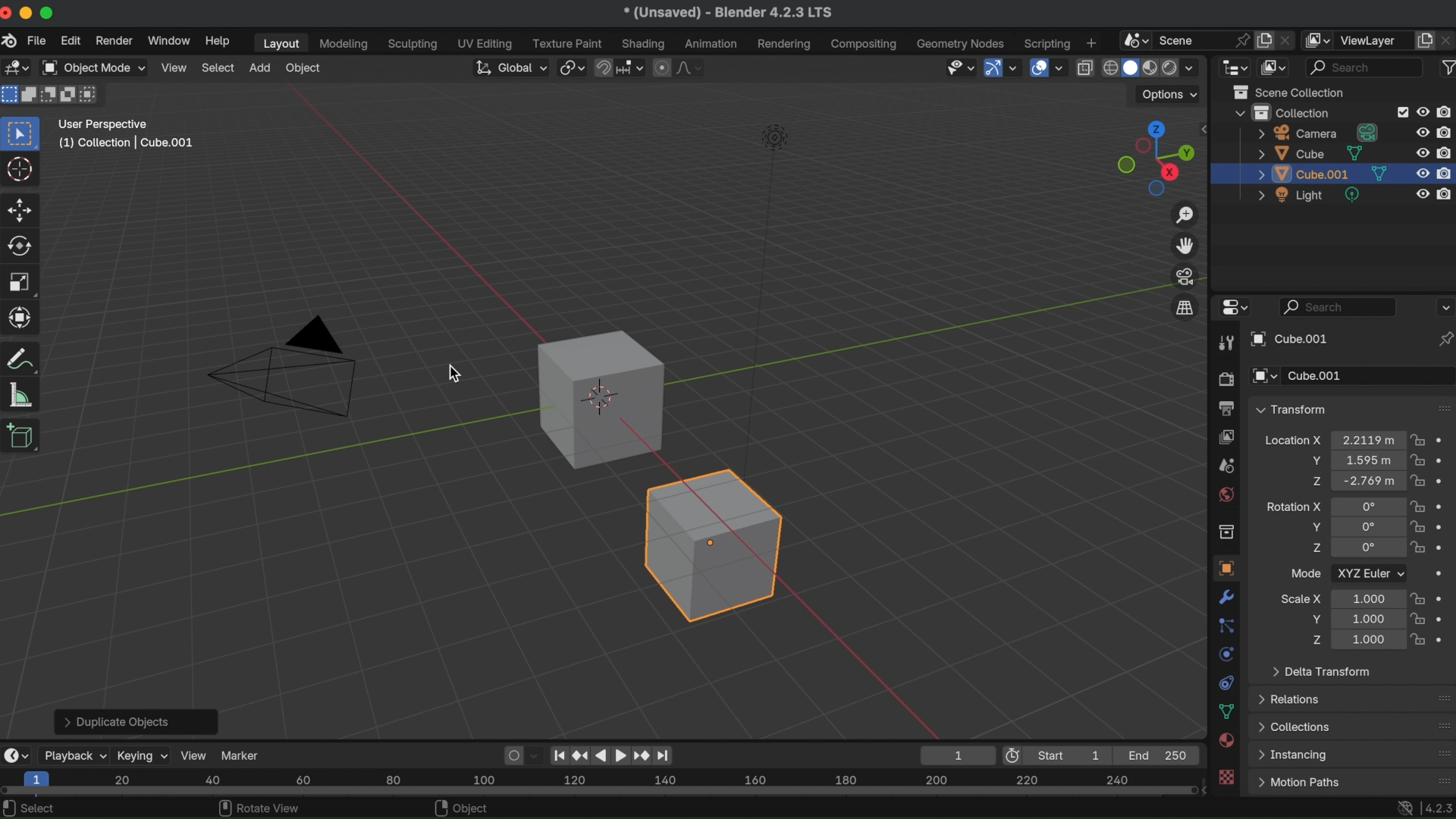 This screenshot has height=819, width=1456. What do you see at coordinates (1421, 153) in the screenshot?
I see `hide in viewport` at bounding box center [1421, 153].